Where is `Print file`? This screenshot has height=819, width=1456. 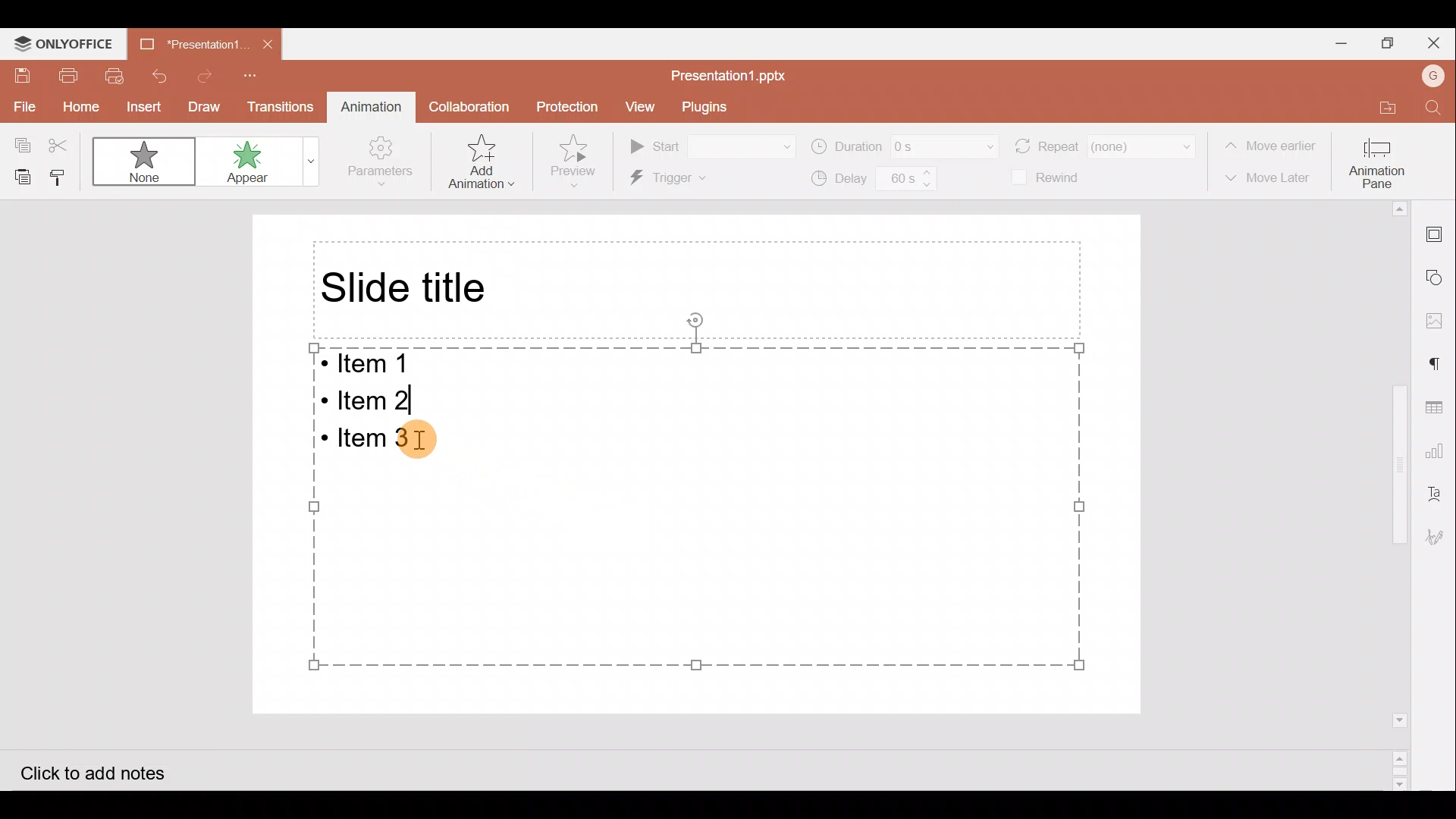 Print file is located at coordinates (67, 73).